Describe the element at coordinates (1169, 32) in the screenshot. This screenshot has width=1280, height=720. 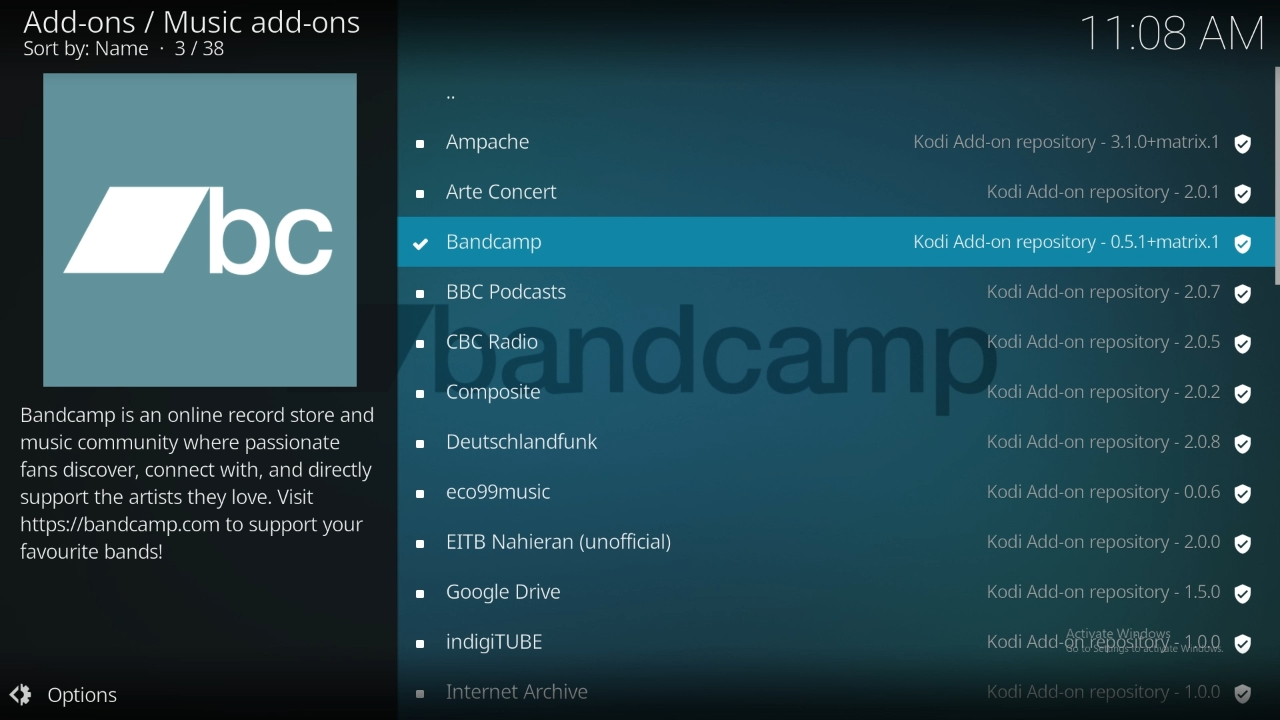
I see `time` at that location.